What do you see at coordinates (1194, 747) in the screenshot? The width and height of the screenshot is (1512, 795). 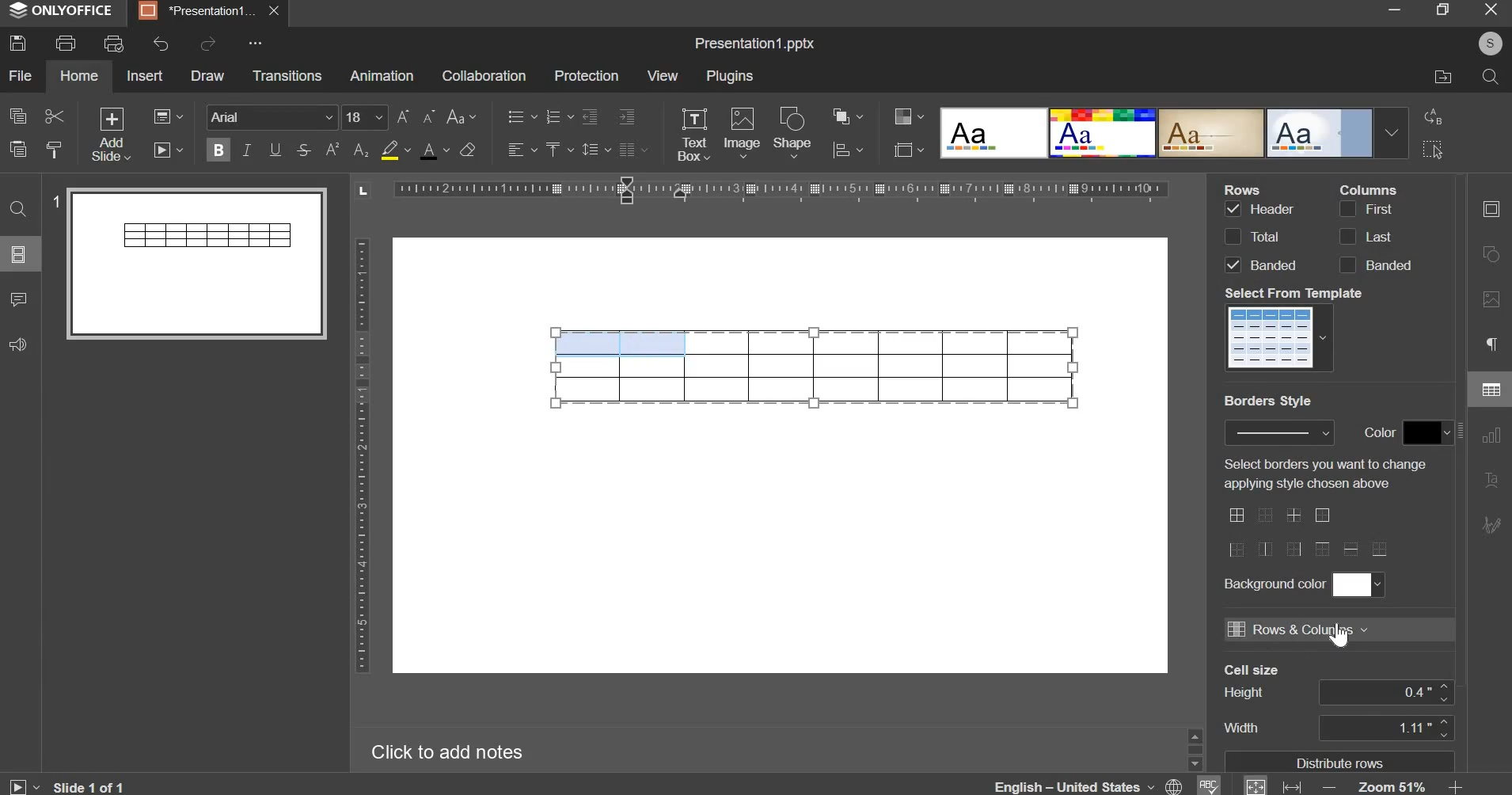 I see `Sidebar` at bounding box center [1194, 747].